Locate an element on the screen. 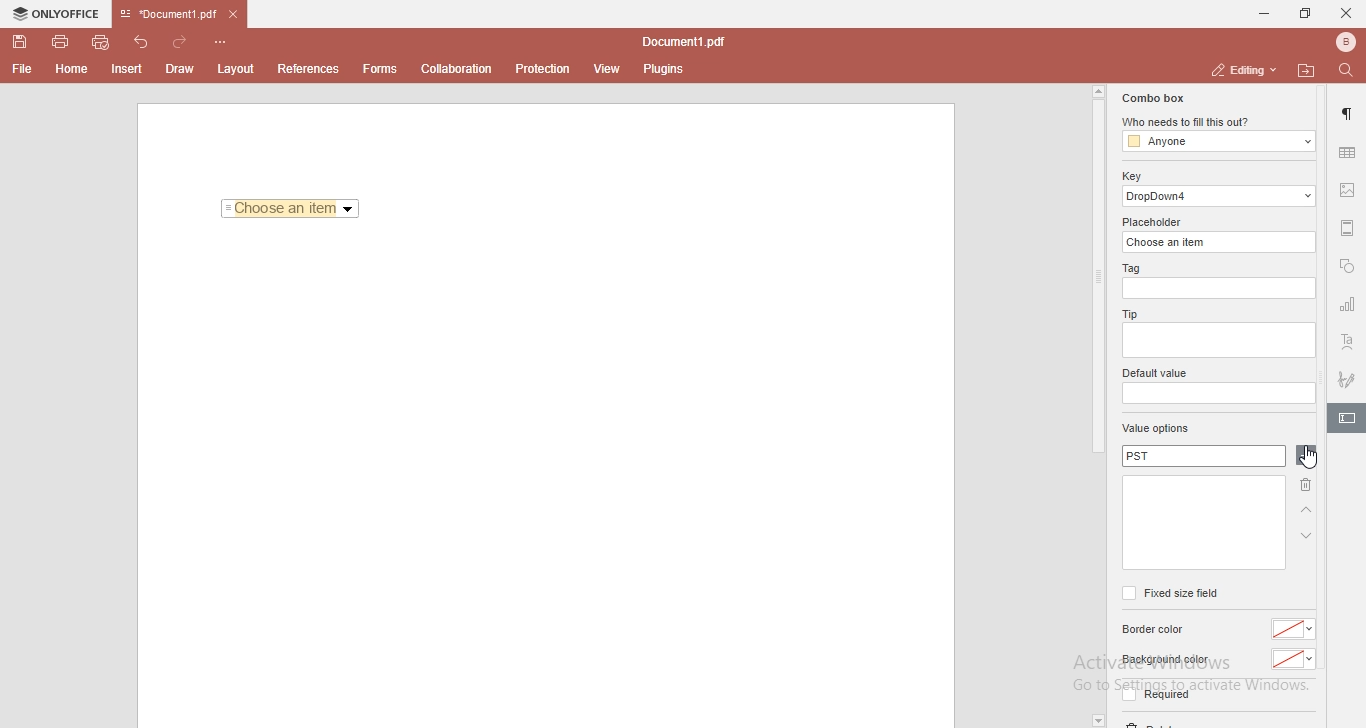 Image resolution: width=1366 pixels, height=728 pixels. dropdown 4 is located at coordinates (1220, 196).